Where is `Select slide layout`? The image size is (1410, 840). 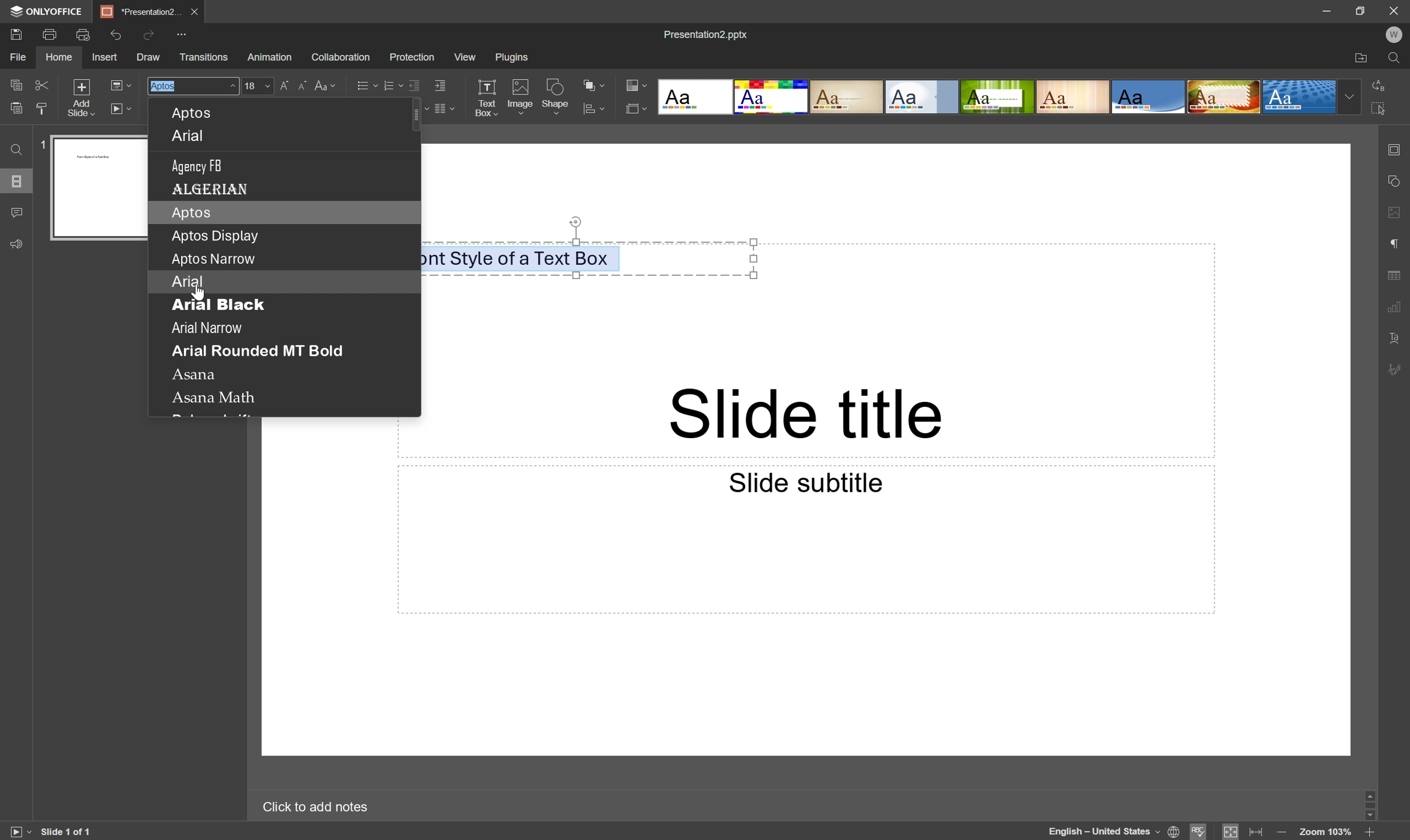 Select slide layout is located at coordinates (638, 107).